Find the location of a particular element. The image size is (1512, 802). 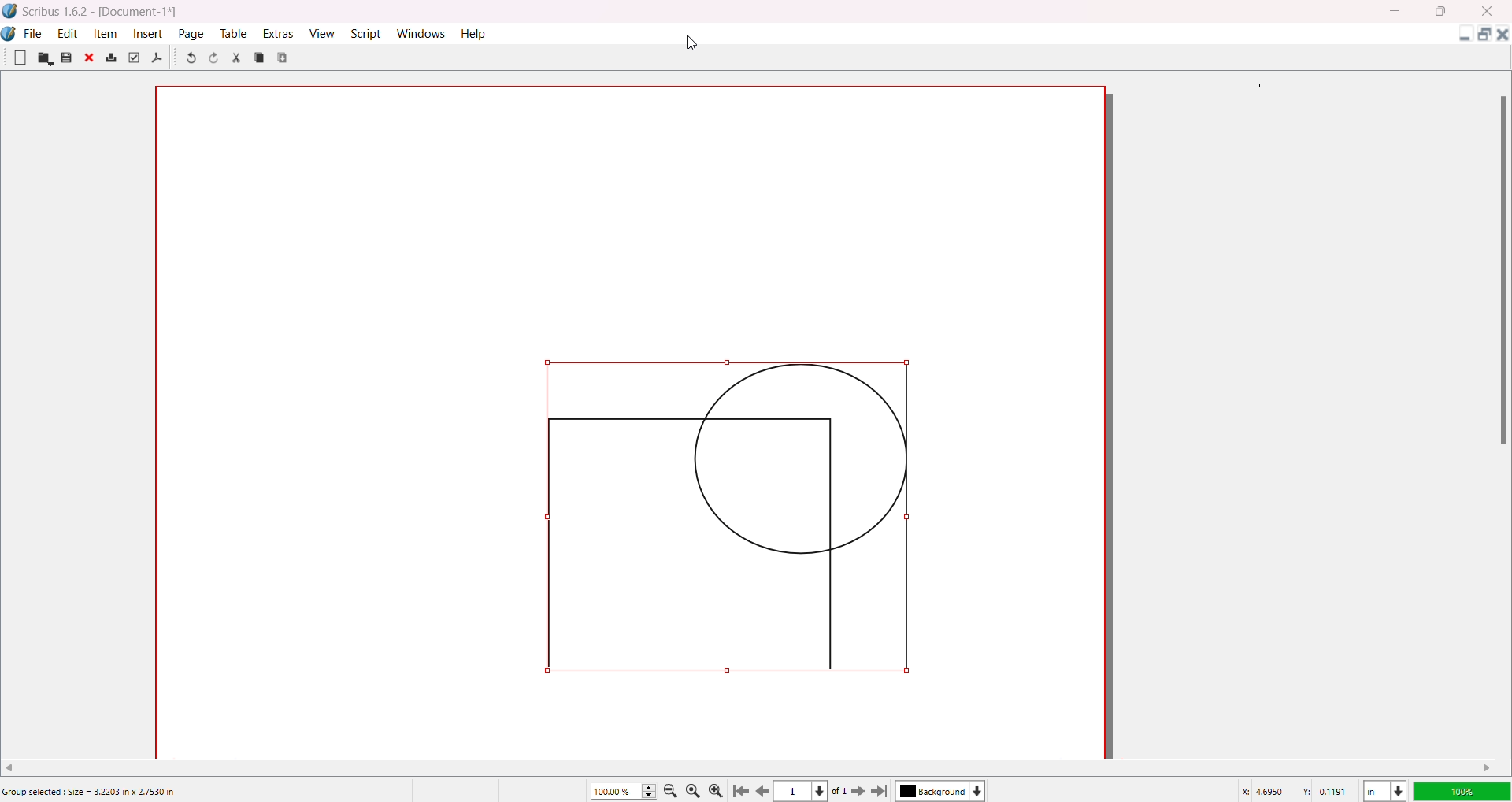

Zoom to 100 is located at coordinates (696, 789).